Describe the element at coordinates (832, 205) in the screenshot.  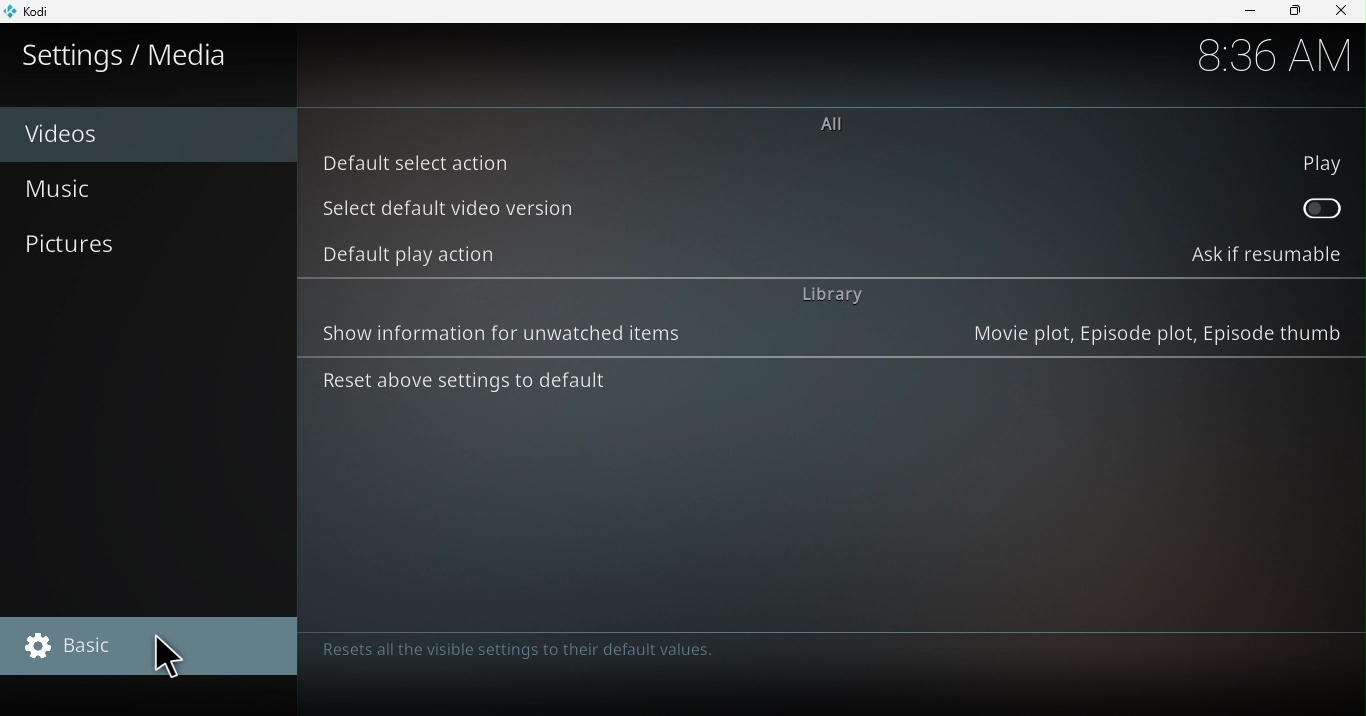
I see `Select default video version` at that location.